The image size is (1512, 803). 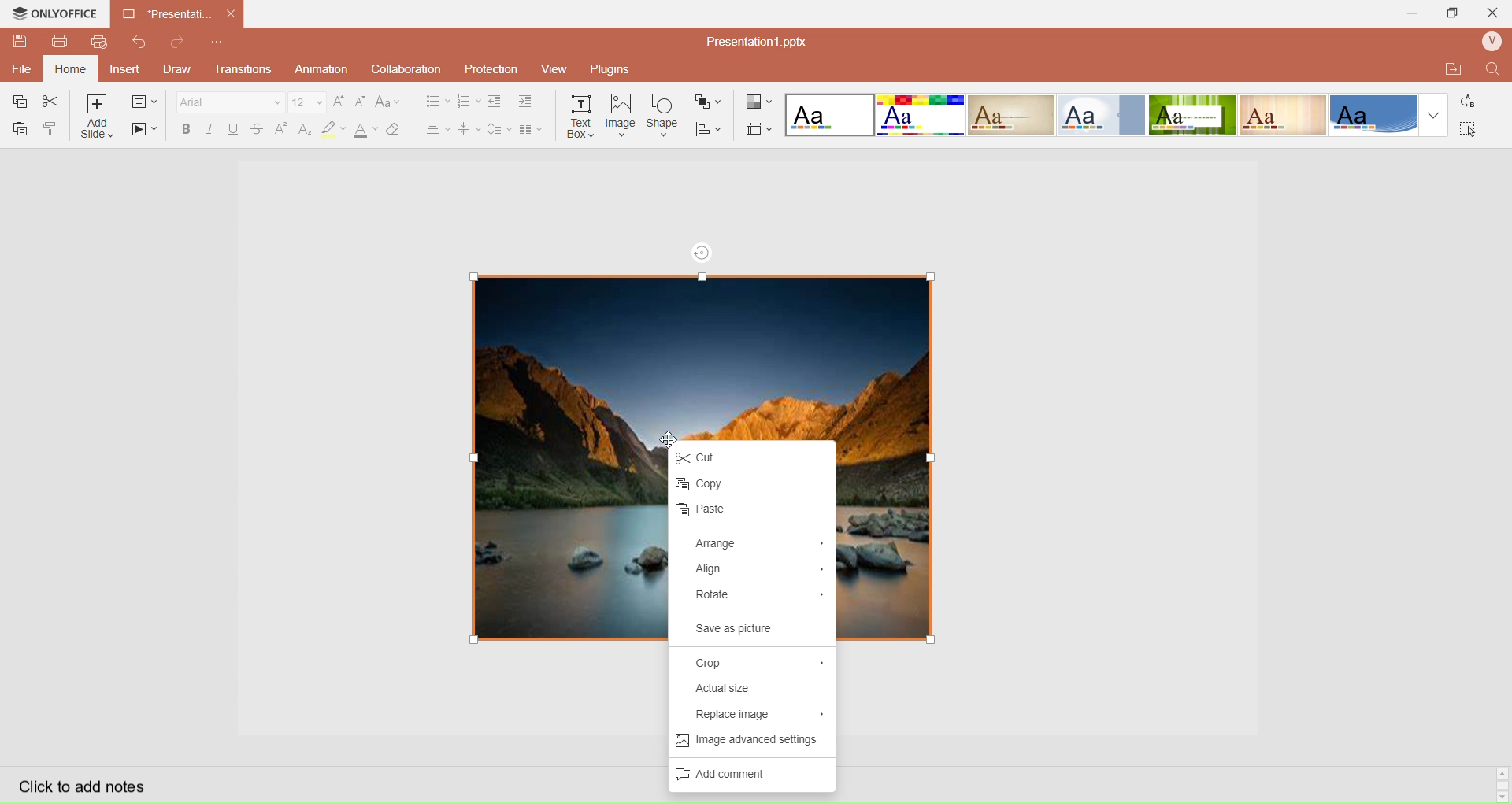 What do you see at coordinates (98, 119) in the screenshot?
I see `Add Slice` at bounding box center [98, 119].